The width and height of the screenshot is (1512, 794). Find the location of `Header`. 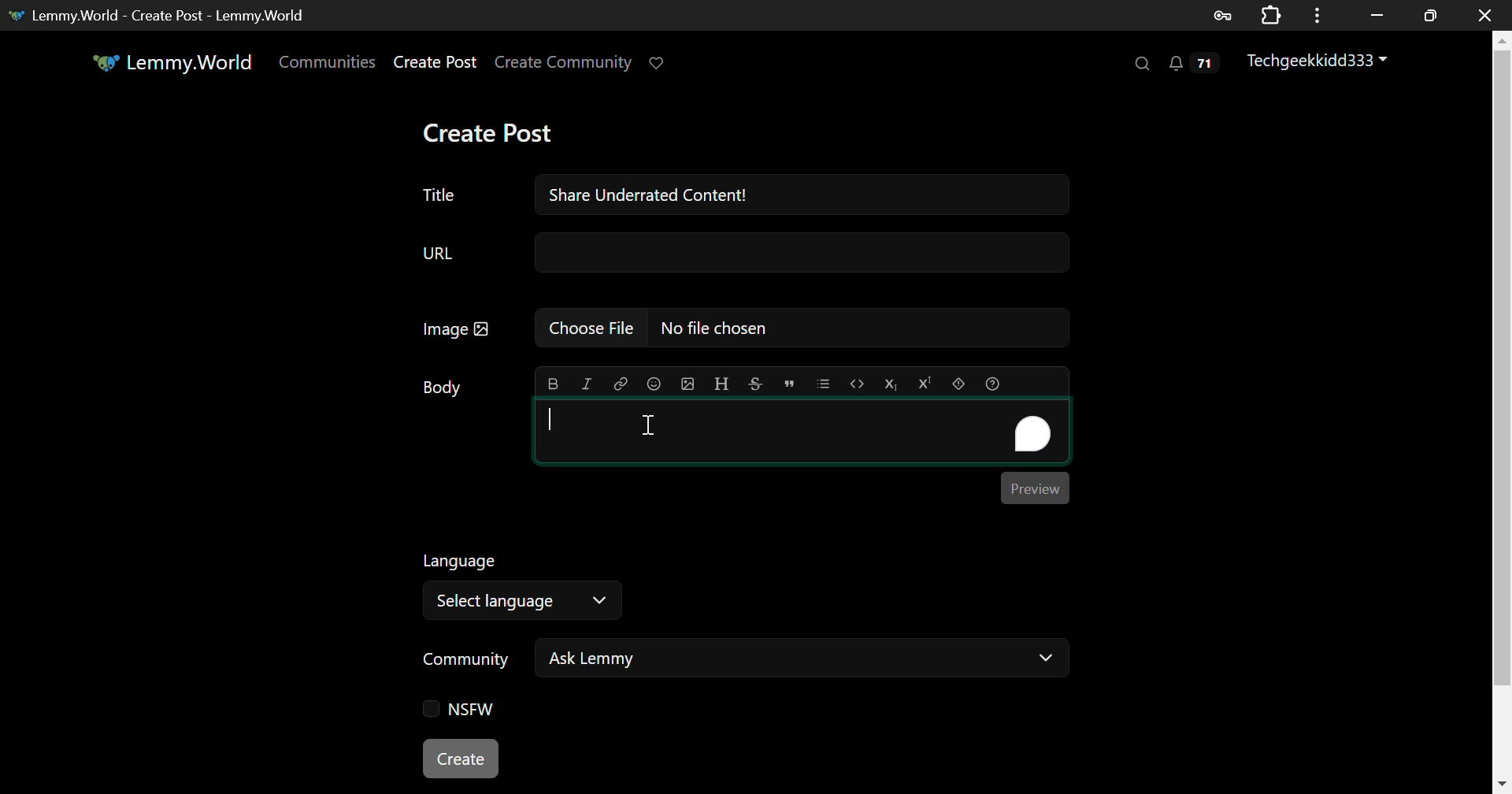

Header is located at coordinates (722, 384).